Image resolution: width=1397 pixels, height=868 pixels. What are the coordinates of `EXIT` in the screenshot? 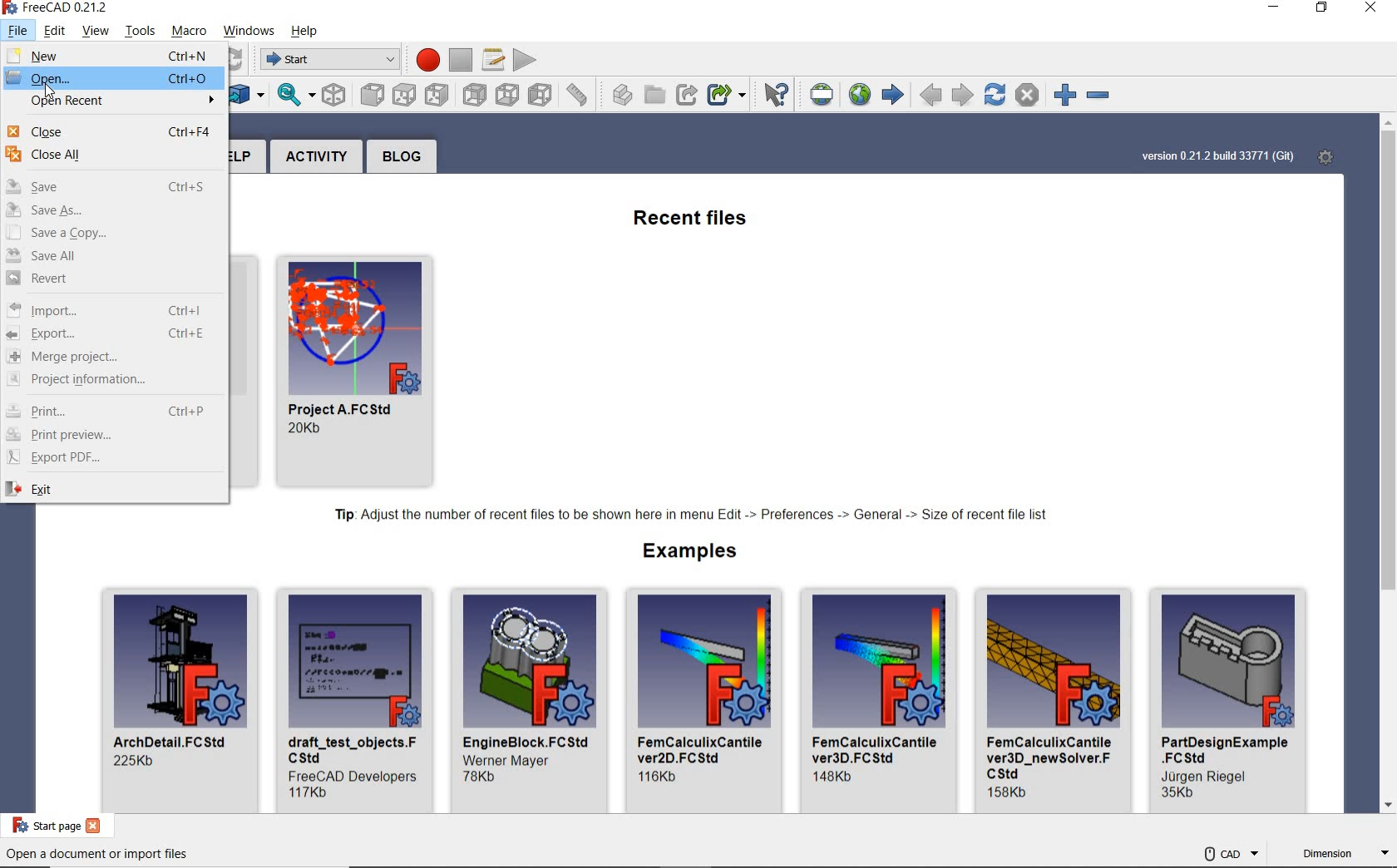 It's located at (111, 489).